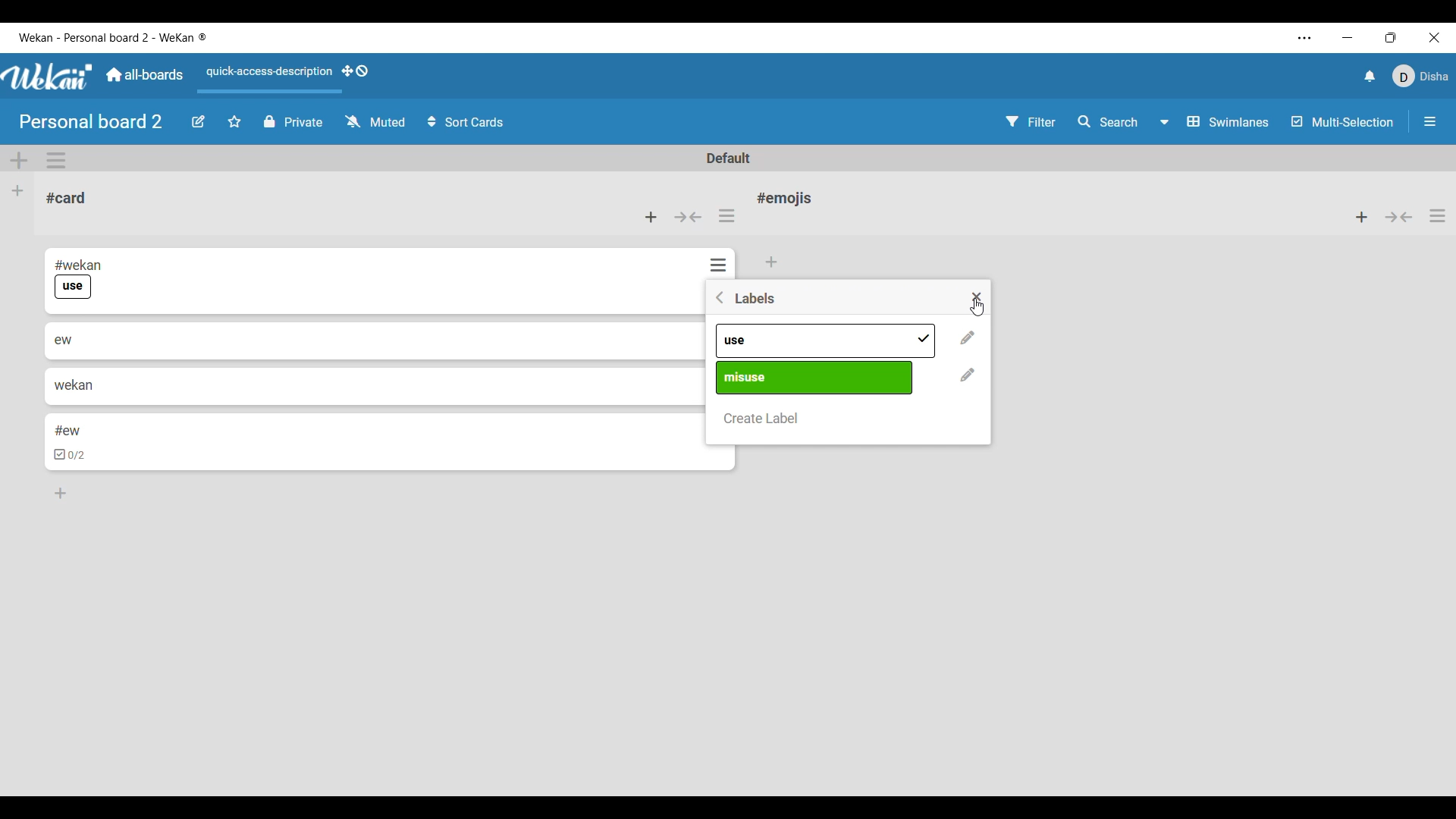 This screenshot has height=819, width=1456. What do you see at coordinates (968, 338) in the screenshot?
I see `Change name and color of respective label` at bounding box center [968, 338].